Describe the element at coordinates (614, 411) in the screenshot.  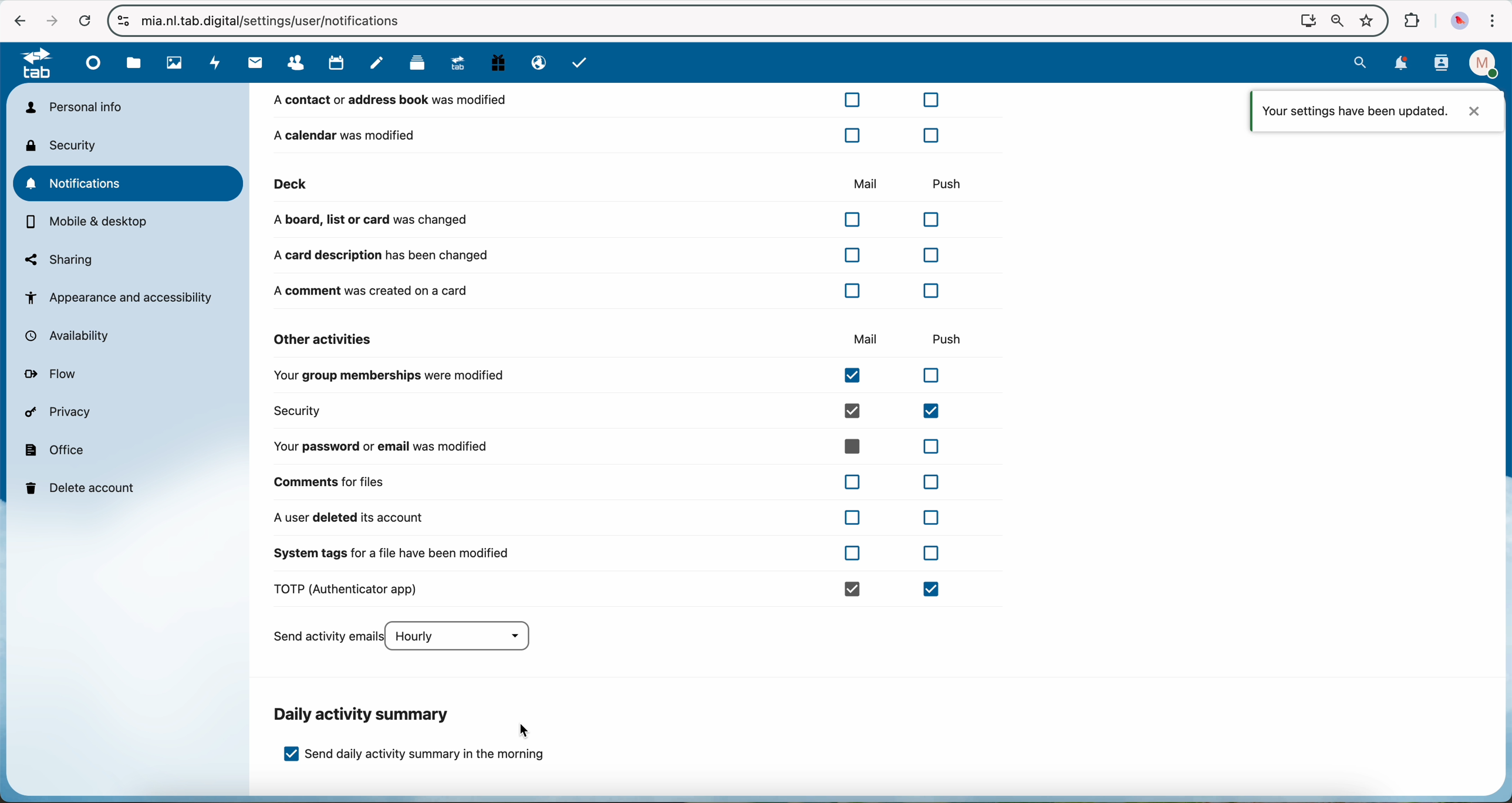
I see `security` at that location.